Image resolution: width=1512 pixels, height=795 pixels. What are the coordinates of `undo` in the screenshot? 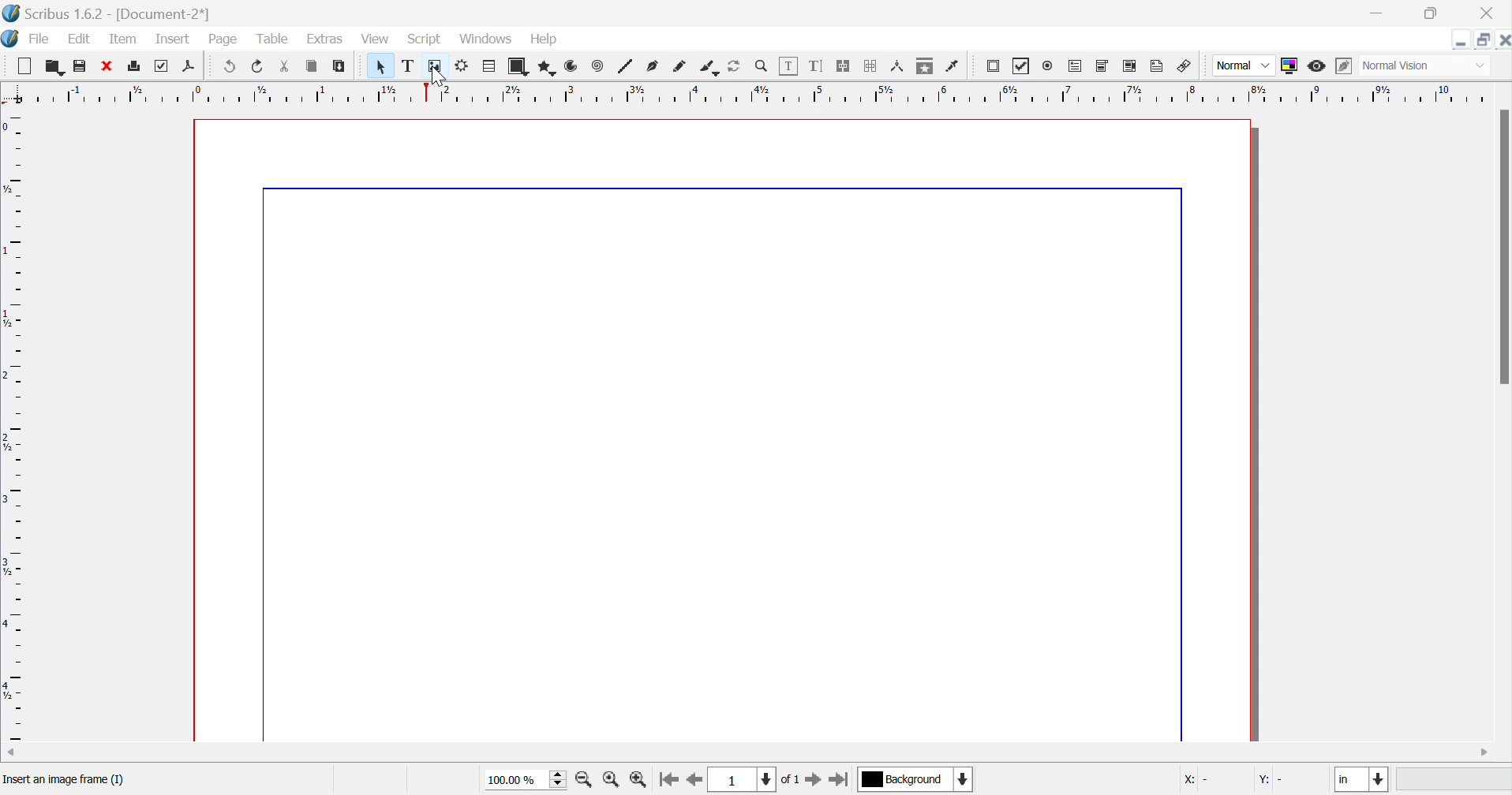 It's located at (232, 67).